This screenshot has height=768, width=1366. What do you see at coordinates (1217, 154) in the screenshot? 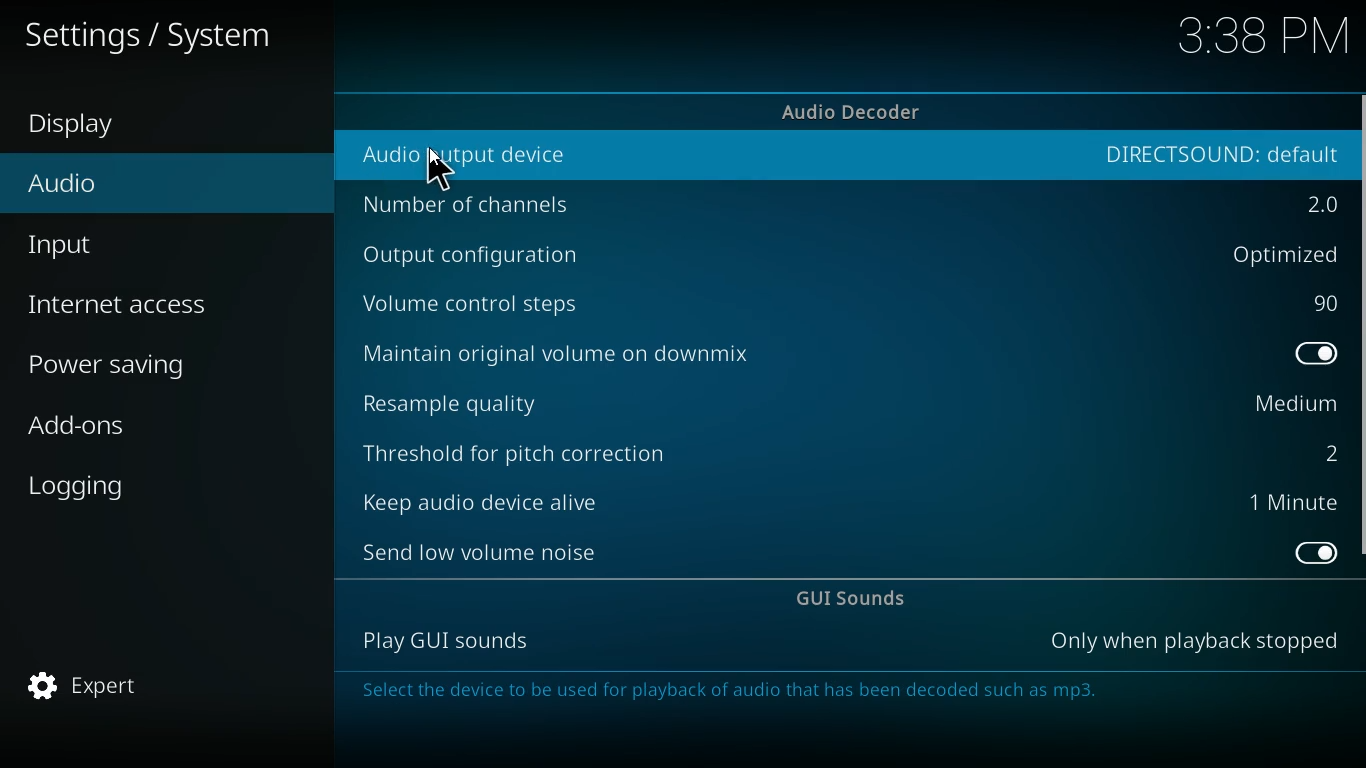
I see `option` at bounding box center [1217, 154].